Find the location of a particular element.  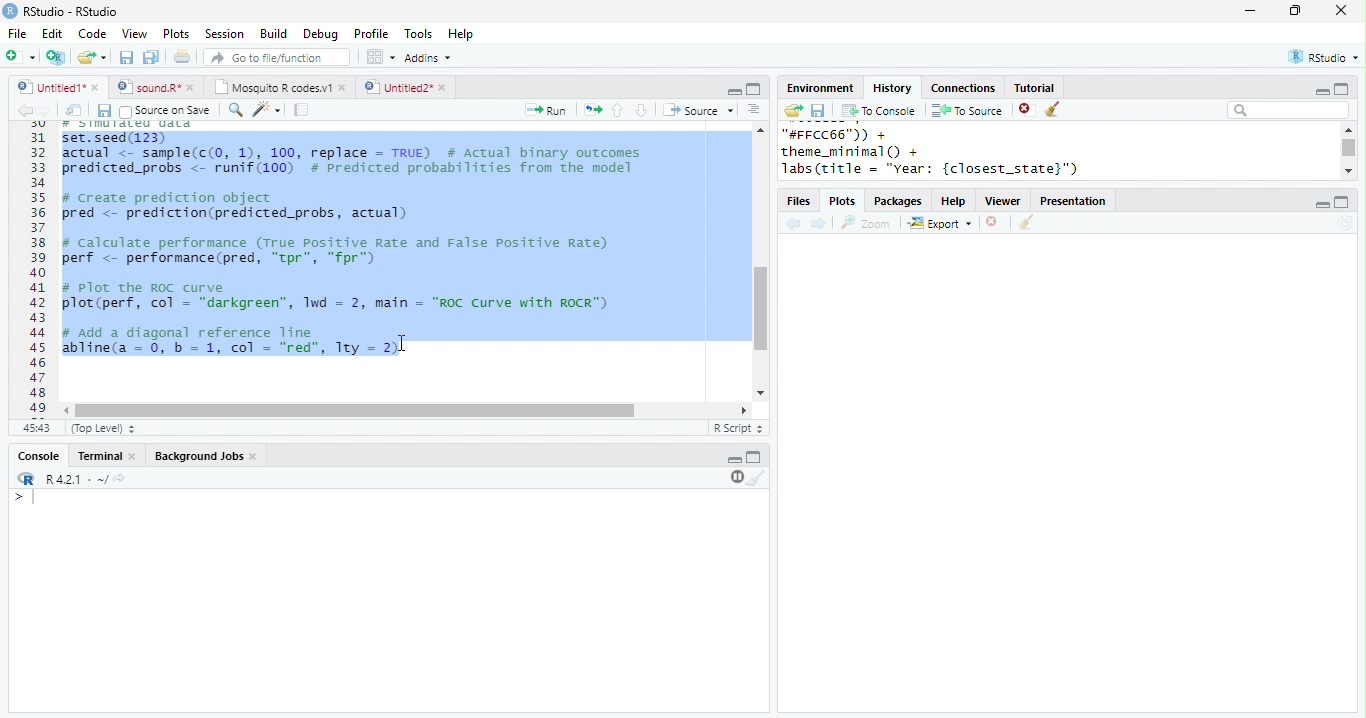

minimize is located at coordinates (734, 460).